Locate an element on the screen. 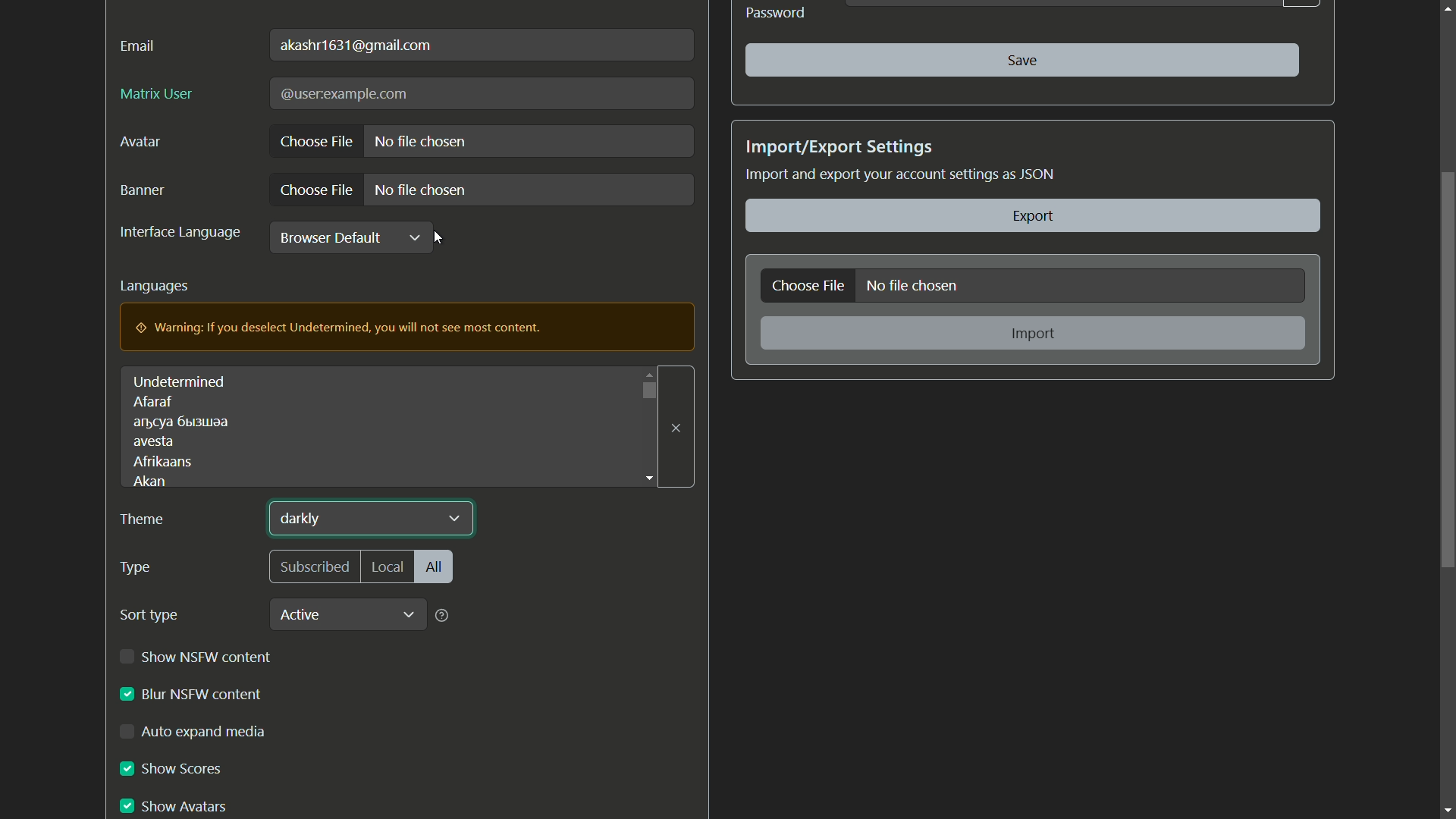 This screenshot has width=1456, height=819. help is located at coordinates (443, 615).